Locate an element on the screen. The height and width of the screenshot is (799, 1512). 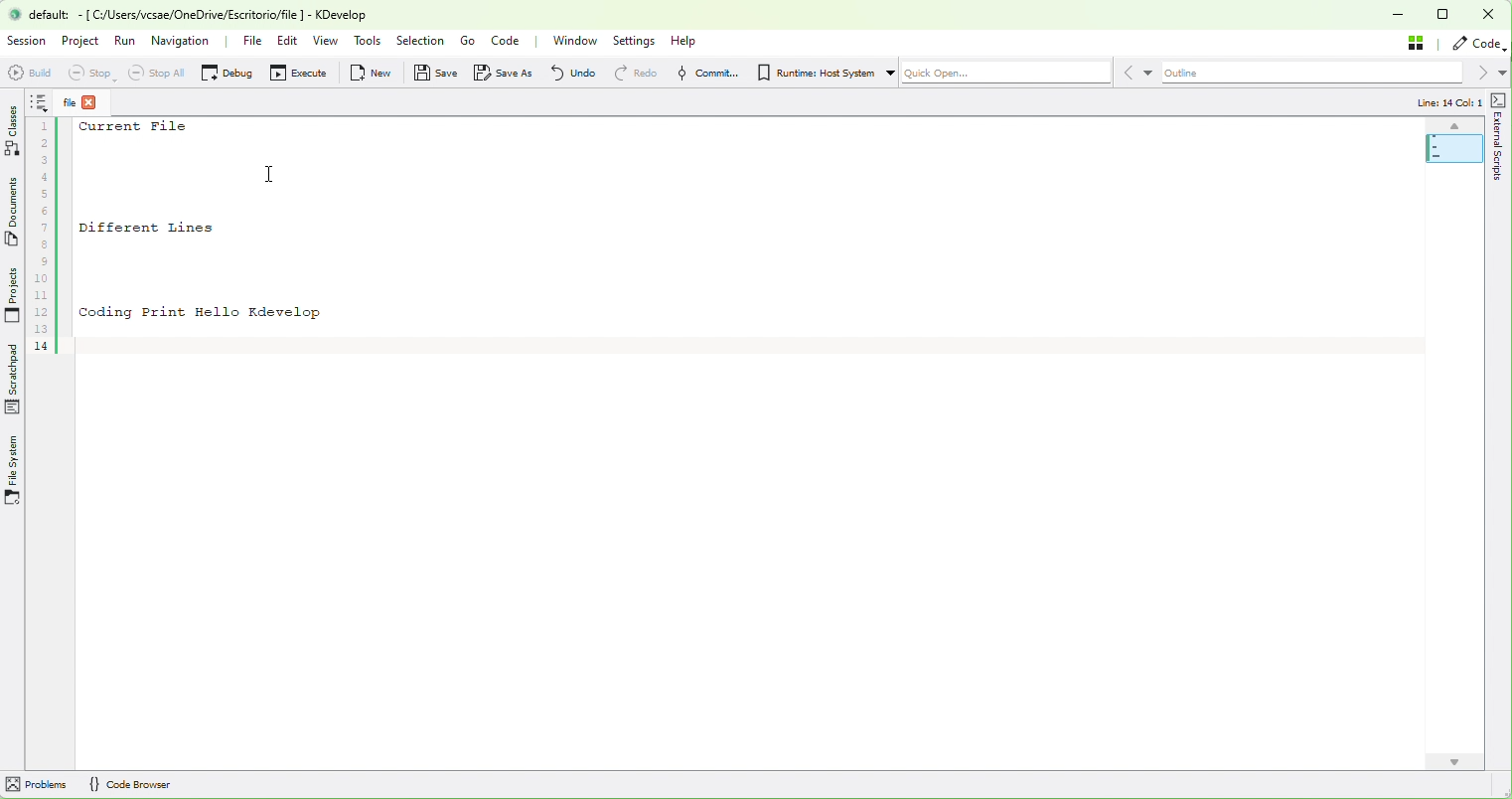
Coding Print Hello Kdevelop is located at coordinates (200, 314).